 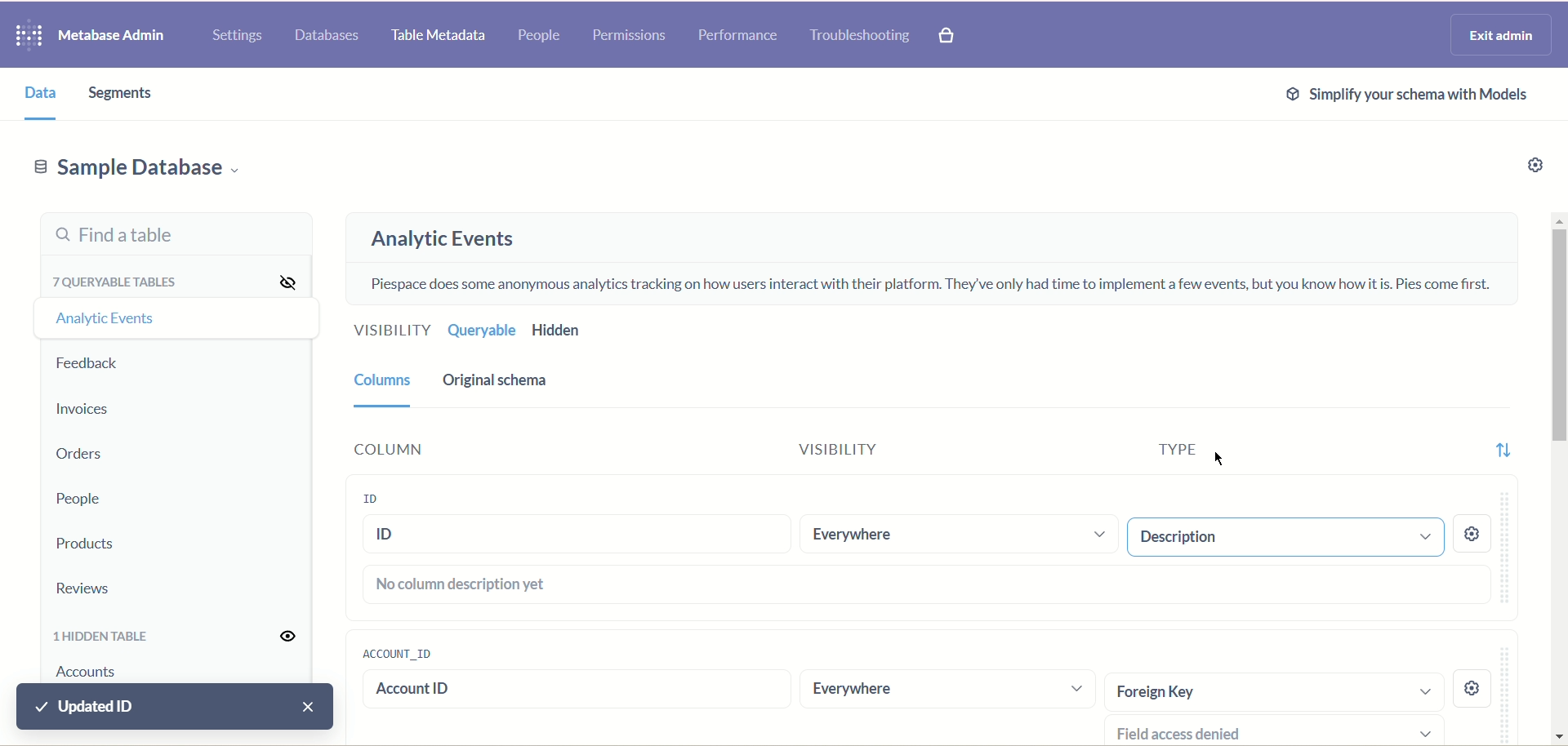 What do you see at coordinates (35, 94) in the screenshot?
I see `data` at bounding box center [35, 94].